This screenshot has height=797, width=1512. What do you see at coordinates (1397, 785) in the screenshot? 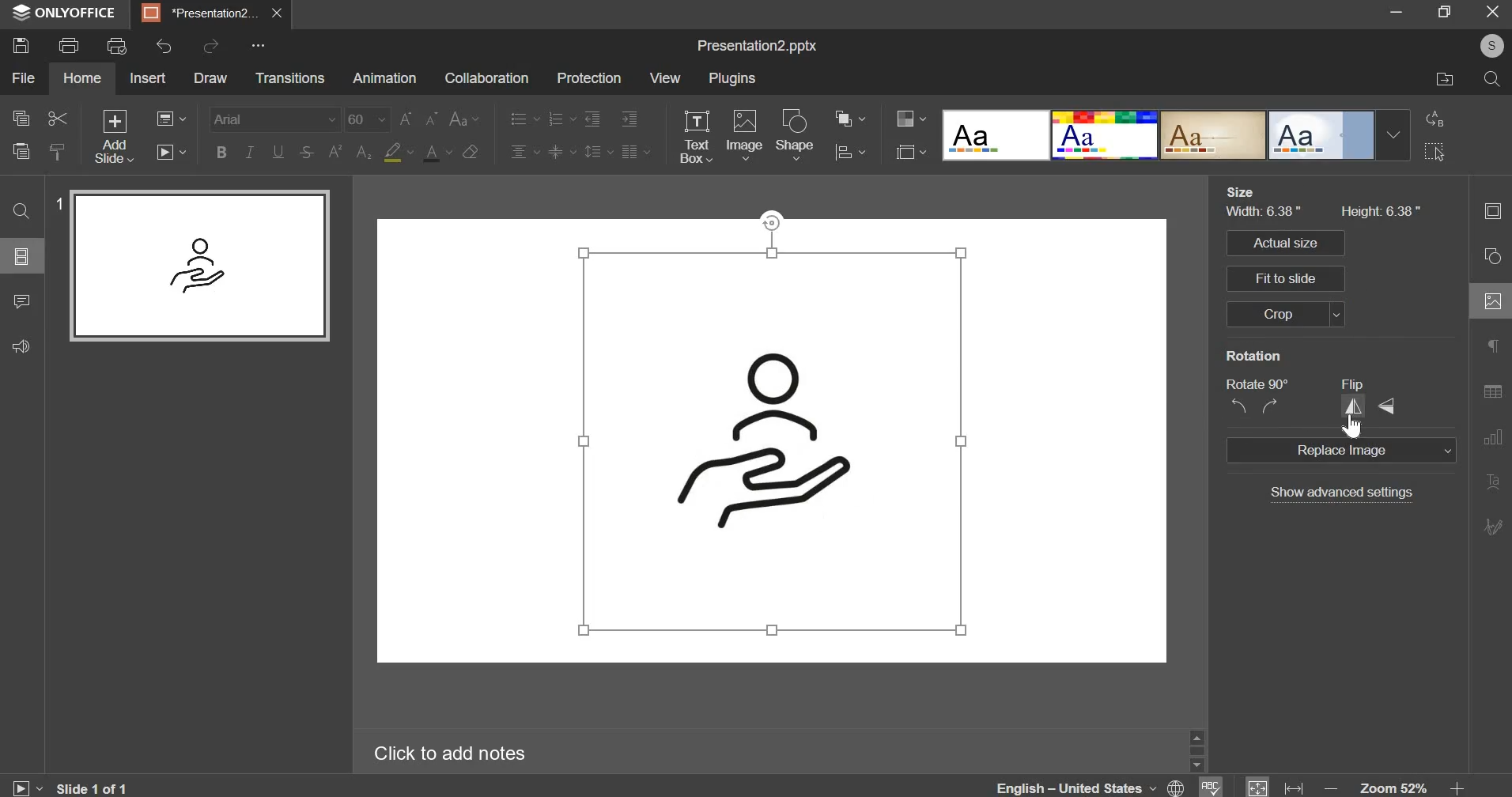
I see `zoom` at bounding box center [1397, 785].